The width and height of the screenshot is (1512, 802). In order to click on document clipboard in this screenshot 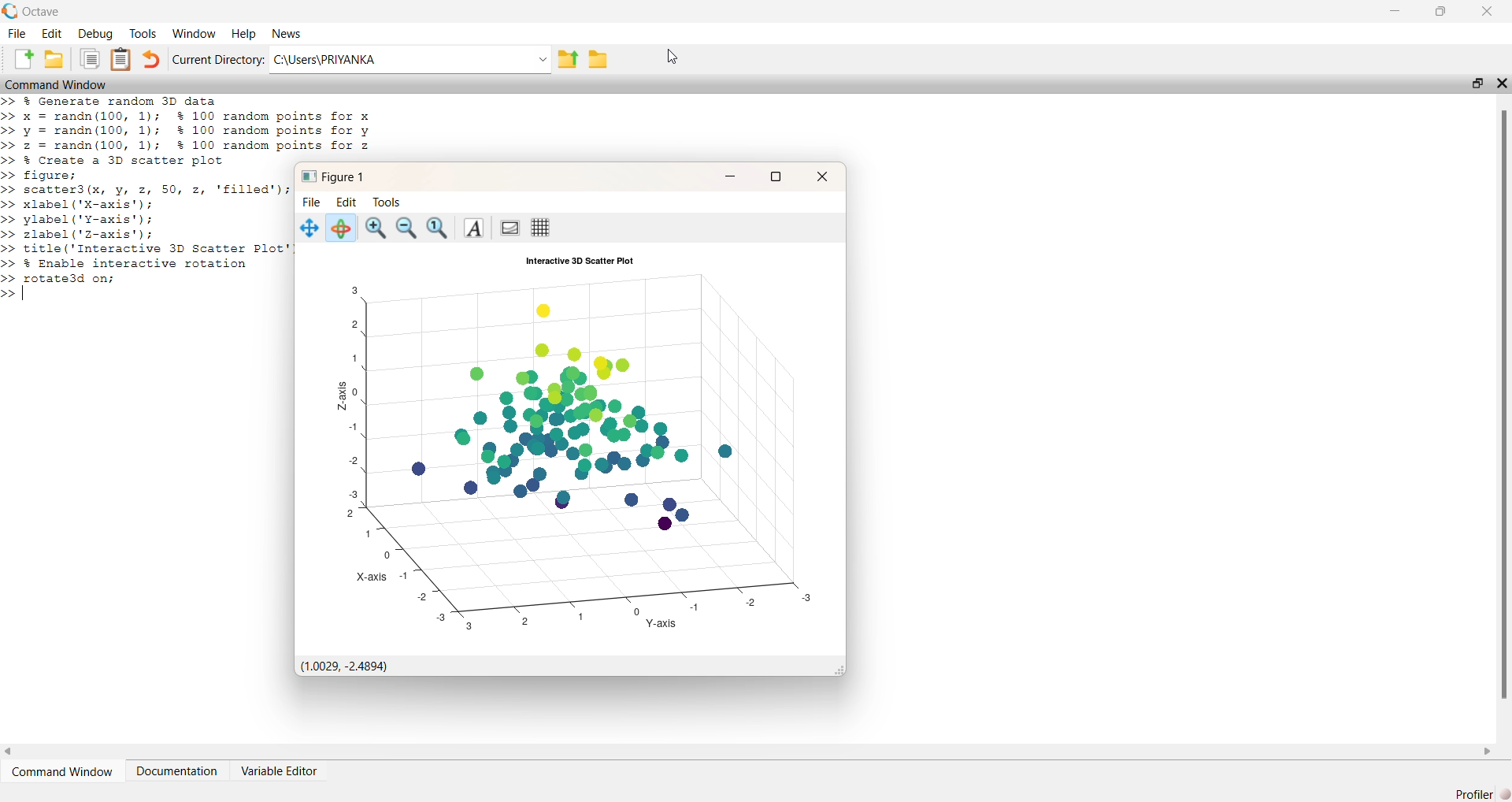, I will do `click(120, 59)`.